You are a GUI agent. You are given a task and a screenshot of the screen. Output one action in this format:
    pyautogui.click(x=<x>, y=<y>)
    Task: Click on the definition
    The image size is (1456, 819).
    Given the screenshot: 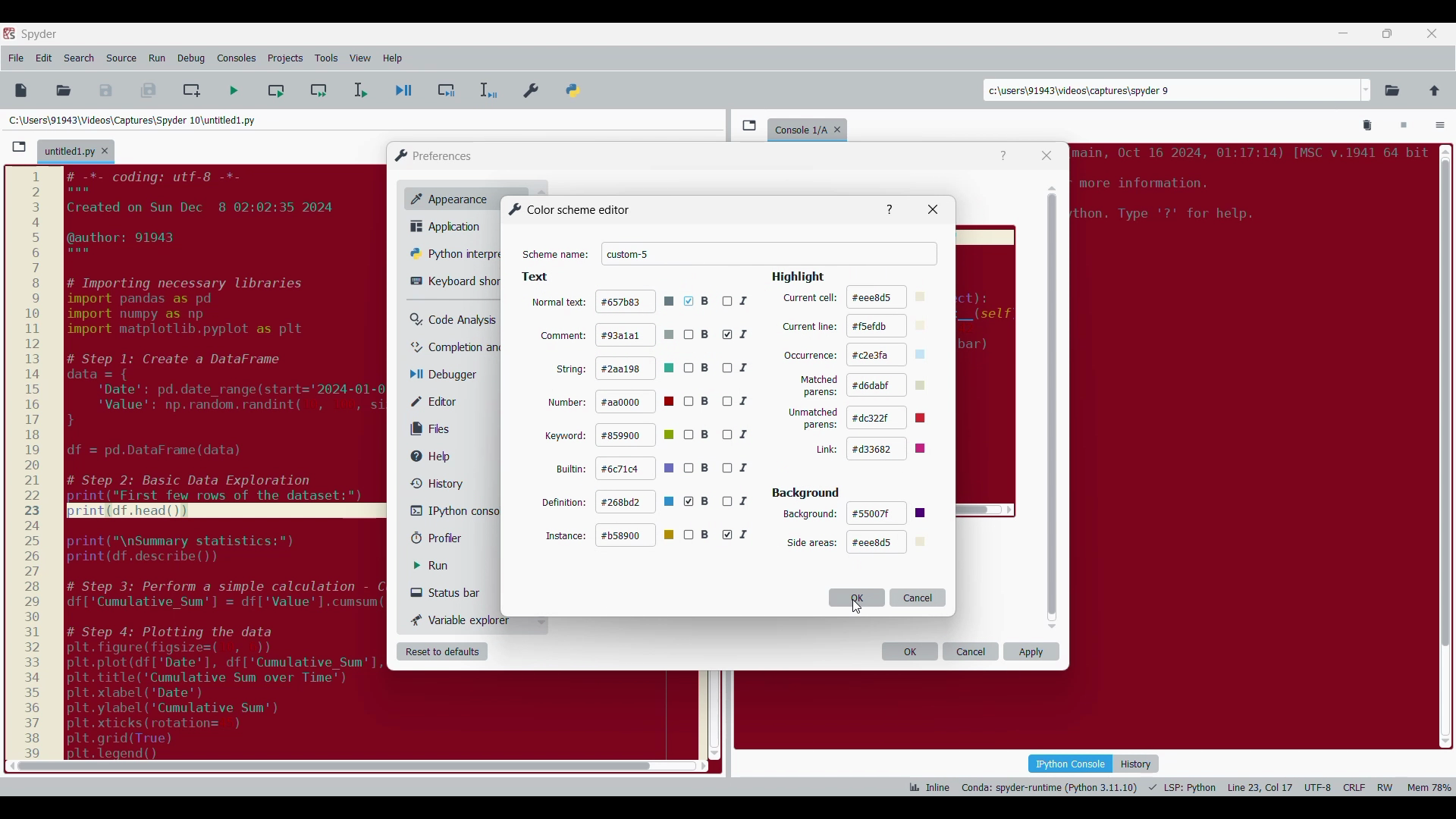 What is the action you would take?
    pyautogui.click(x=564, y=501)
    